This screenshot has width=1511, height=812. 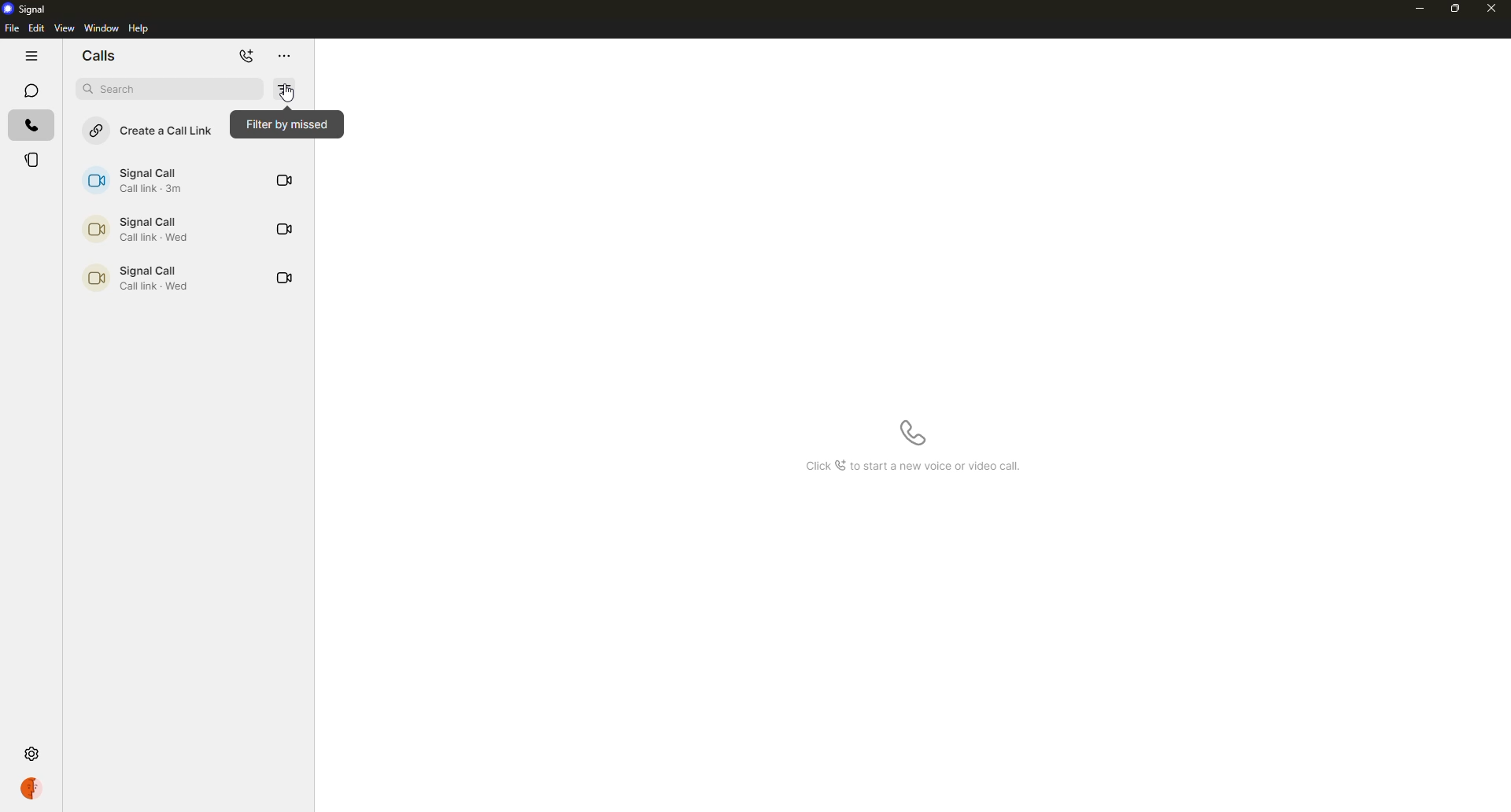 I want to click on file, so click(x=11, y=28).